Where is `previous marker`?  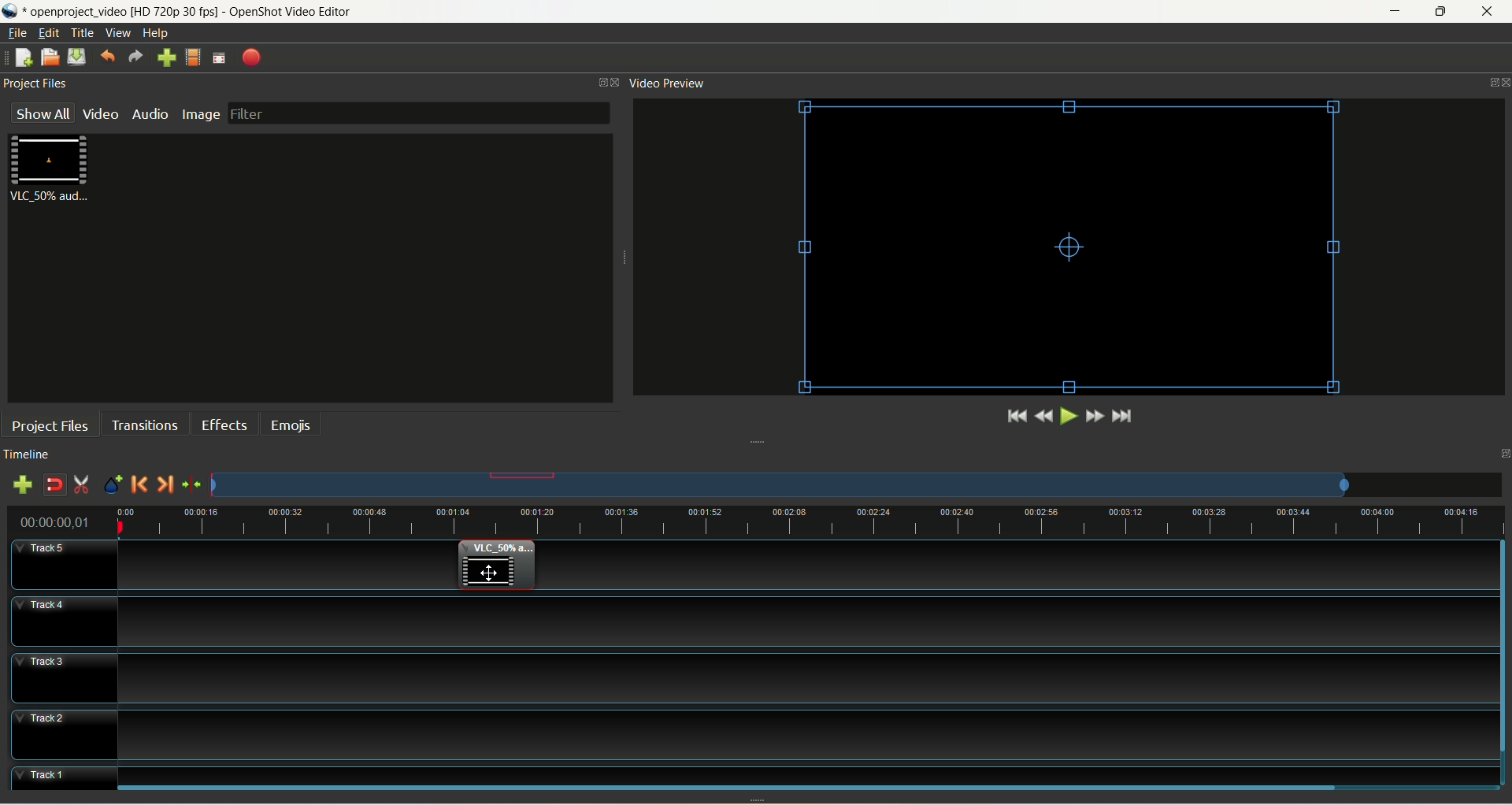
previous marker is located at coordinates (140, 486).